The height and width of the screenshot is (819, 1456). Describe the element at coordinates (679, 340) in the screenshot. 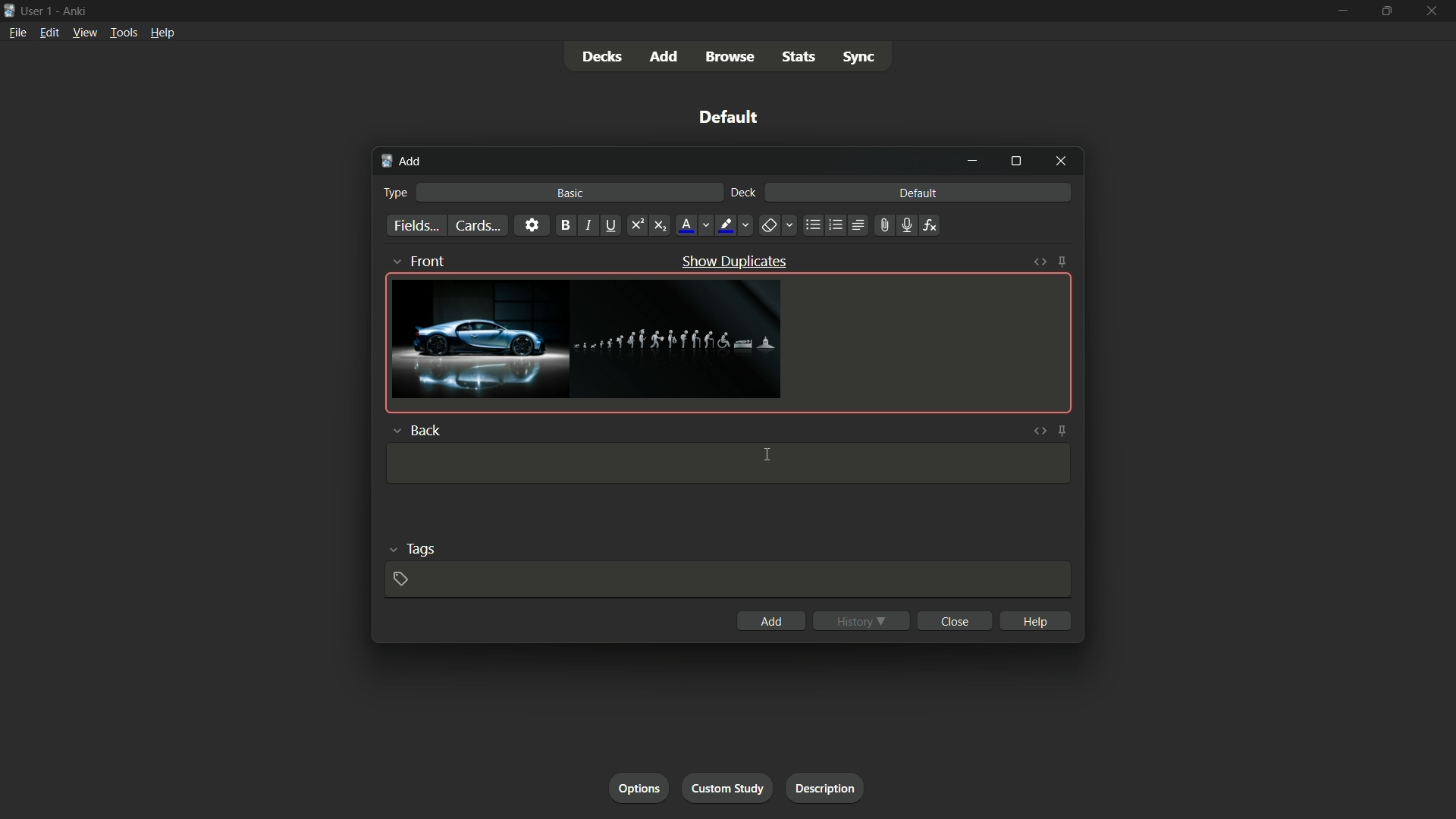

I see `second image added` at that location.